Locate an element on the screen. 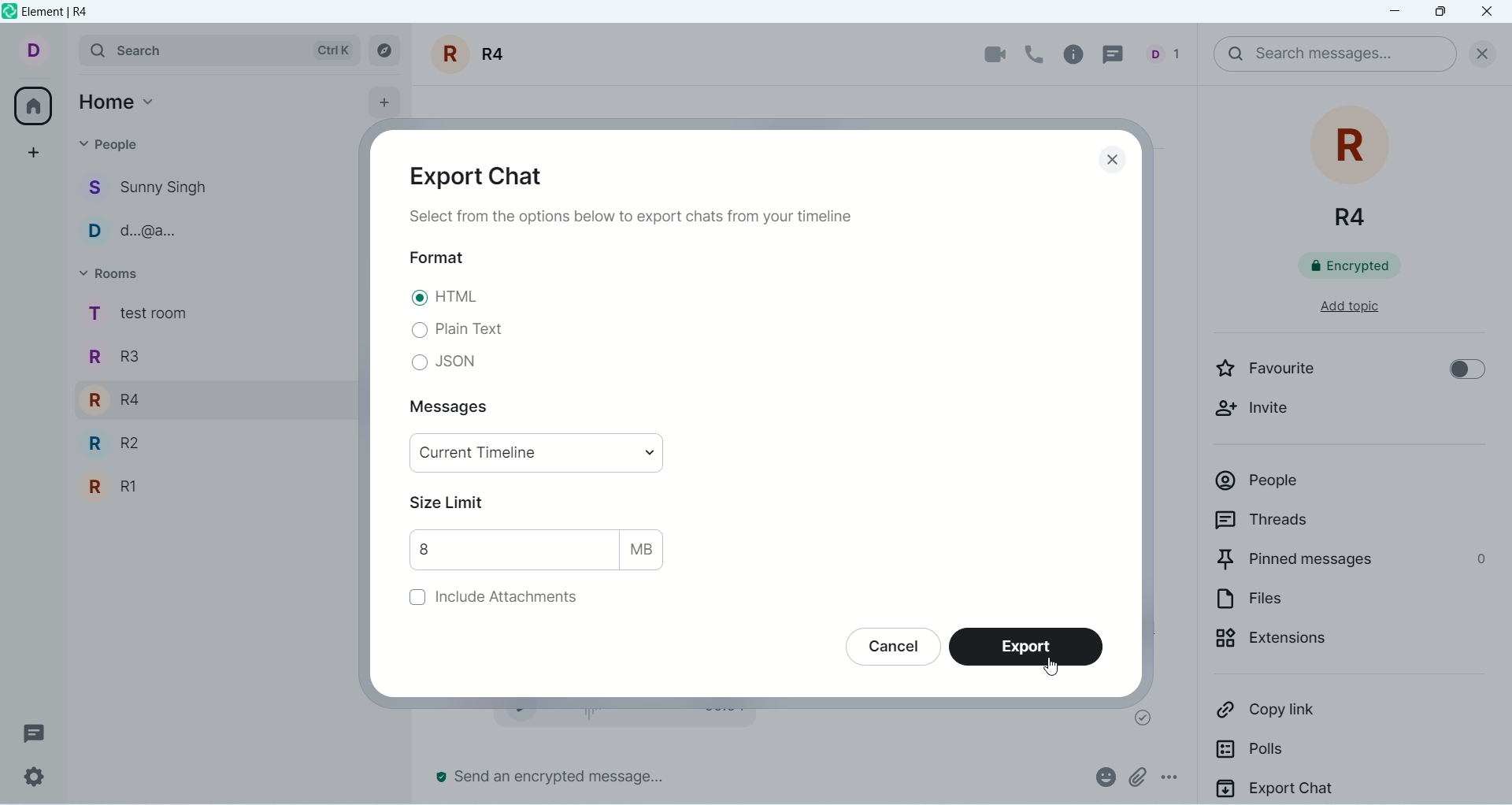  attachment is located at coordinates (1136, 777).